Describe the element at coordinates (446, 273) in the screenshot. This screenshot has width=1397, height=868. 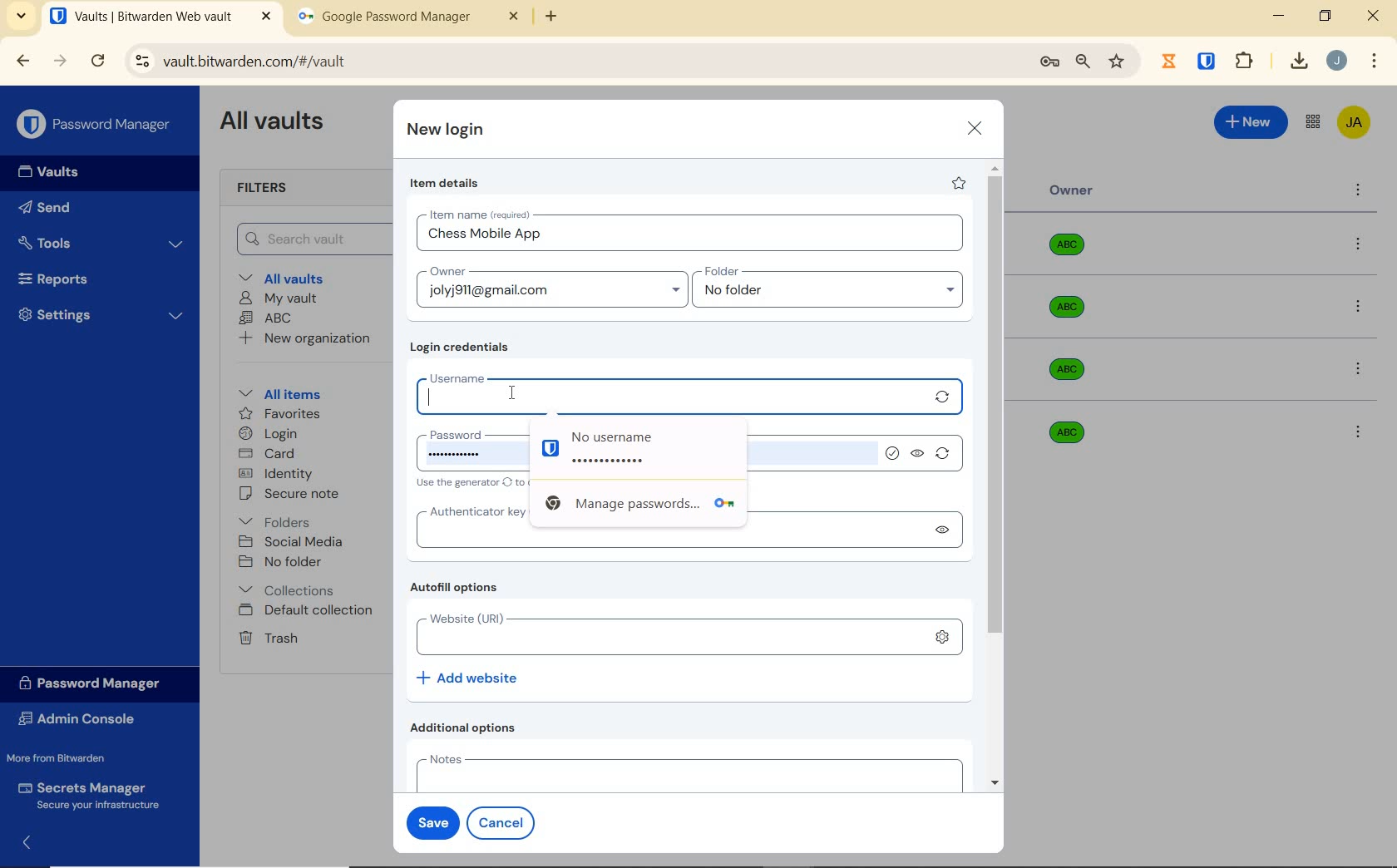
I see `owner` at that location.